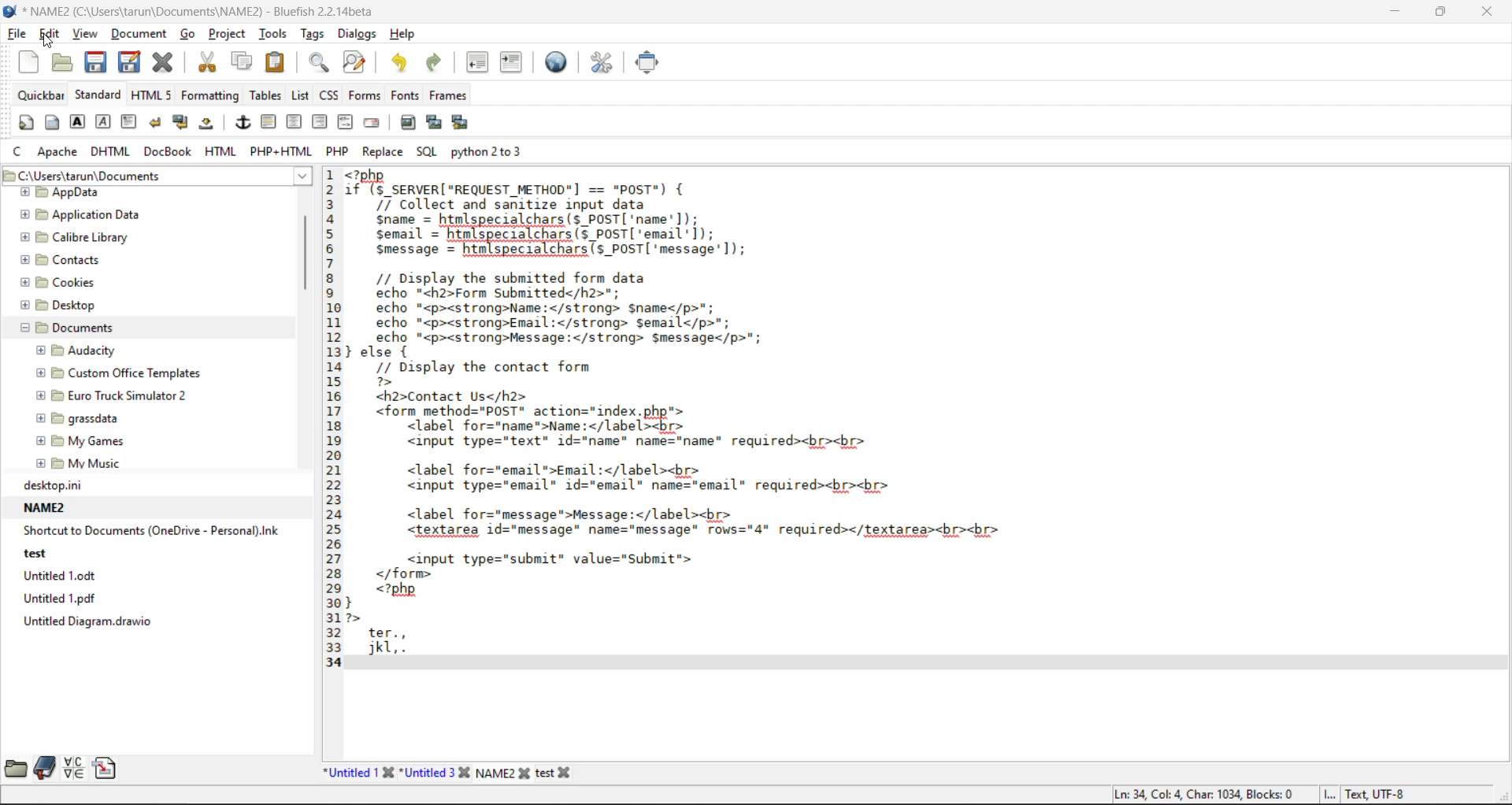  Describe the element at coordinates (599, 65) in the screenshot. I see `edit preferences` at that location.